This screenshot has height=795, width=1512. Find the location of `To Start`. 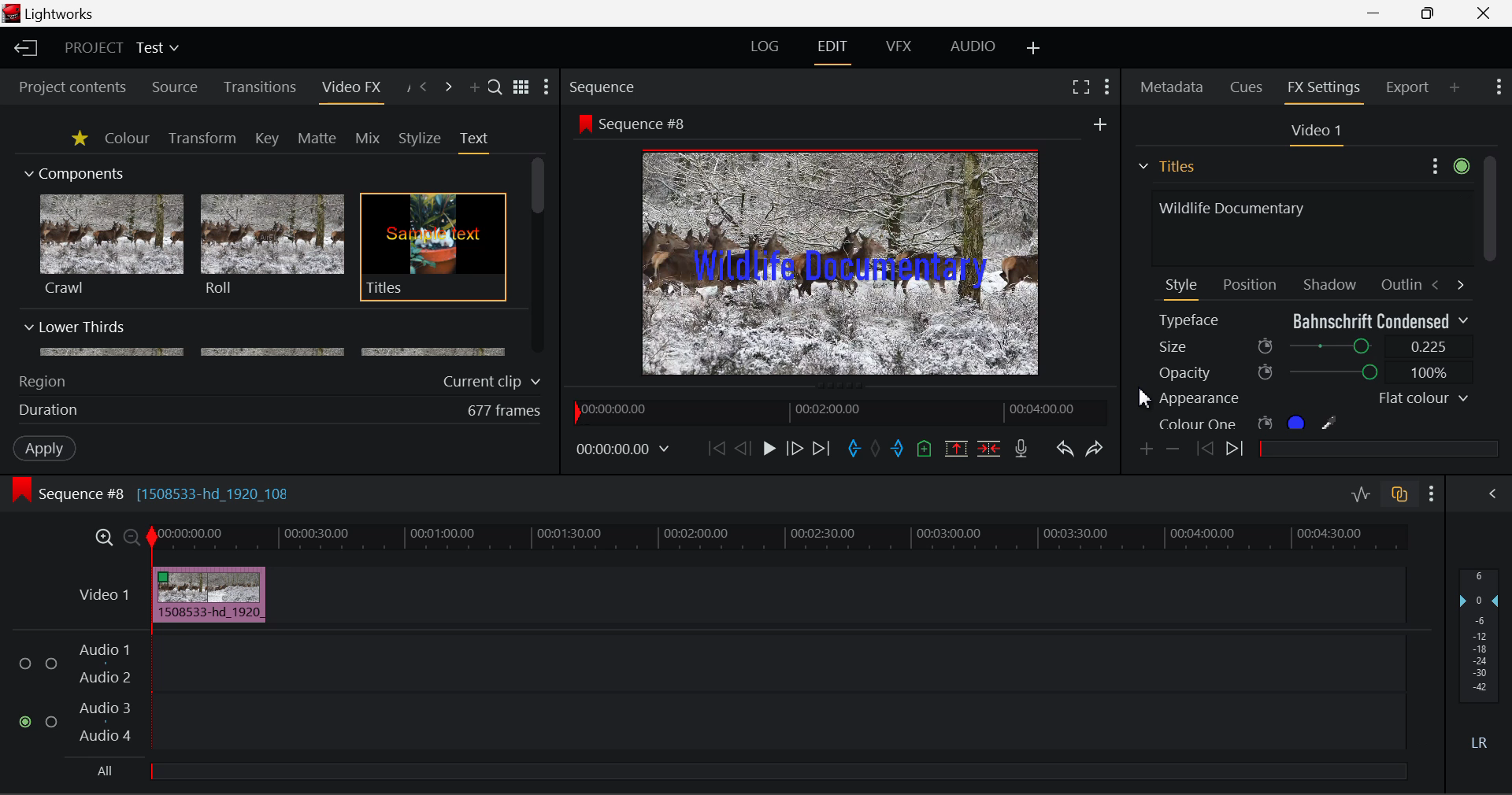

To Start is located at coordinates (717, 449).